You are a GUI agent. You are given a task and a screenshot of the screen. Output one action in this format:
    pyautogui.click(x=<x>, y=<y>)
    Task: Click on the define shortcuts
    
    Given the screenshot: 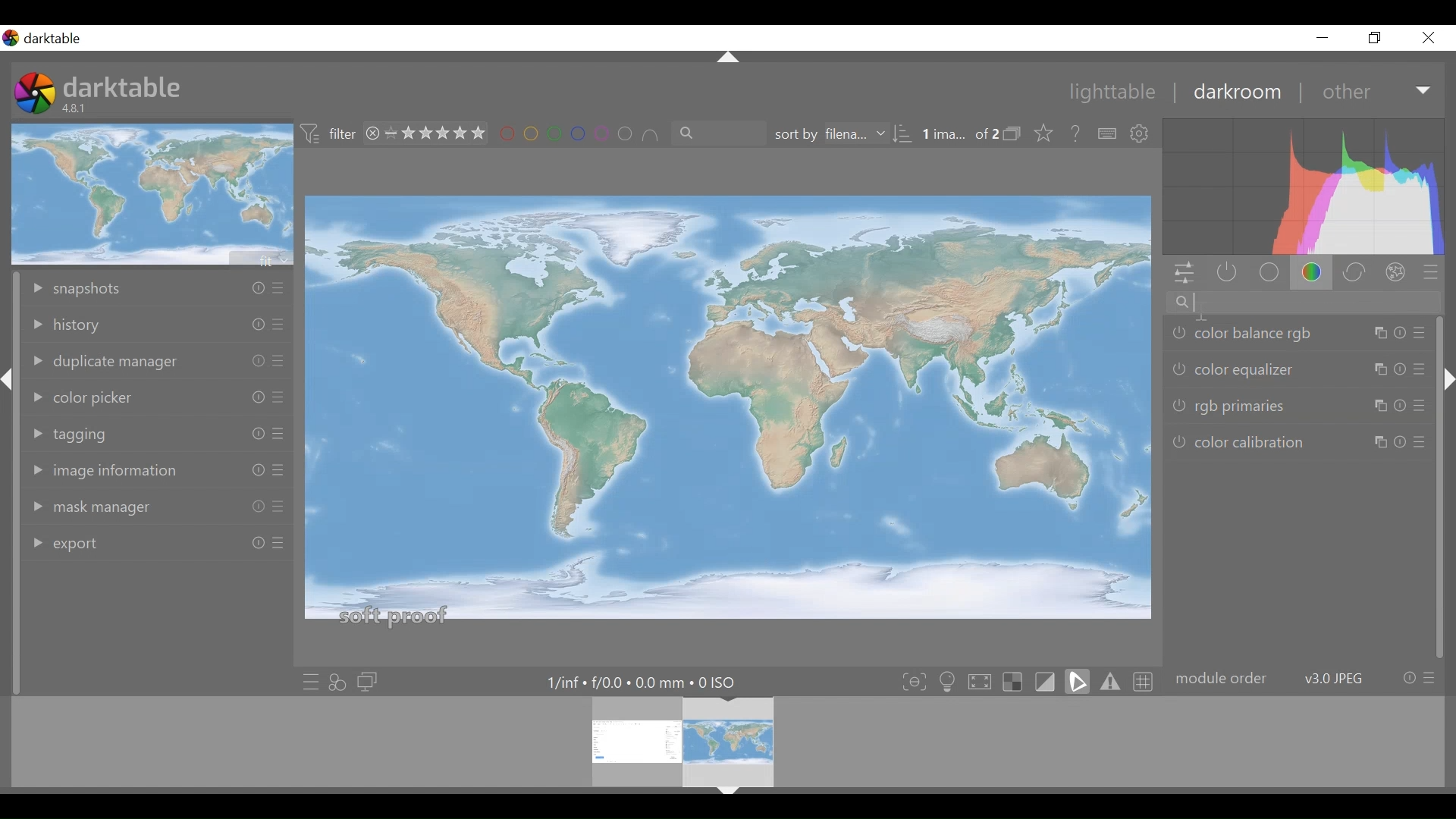 What is the action you would take?
    pyautogui.click(x=1108, y=134)
    